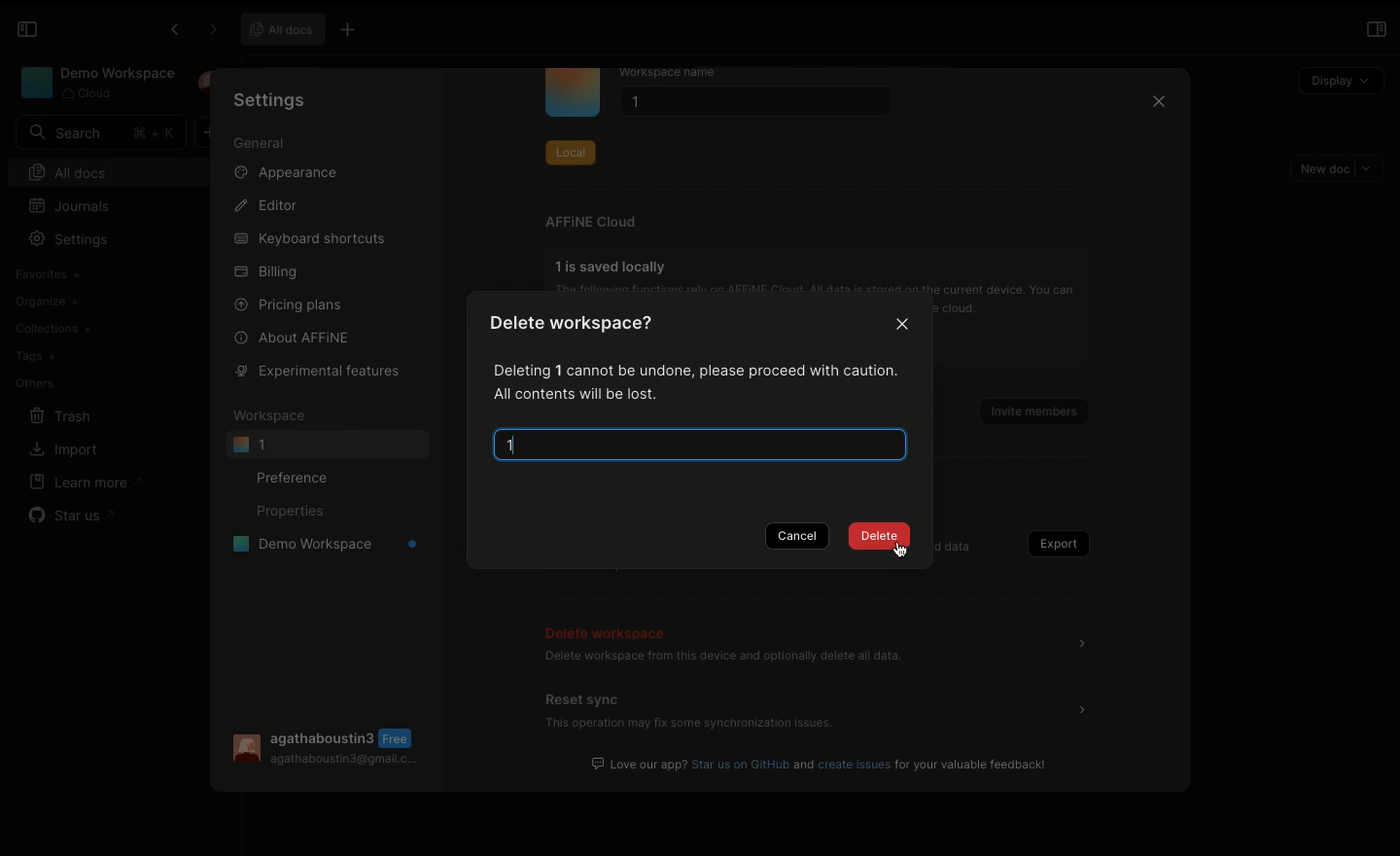 This screenshot has width=1400, height=856. I want to click on Properties, so click(289, 513).